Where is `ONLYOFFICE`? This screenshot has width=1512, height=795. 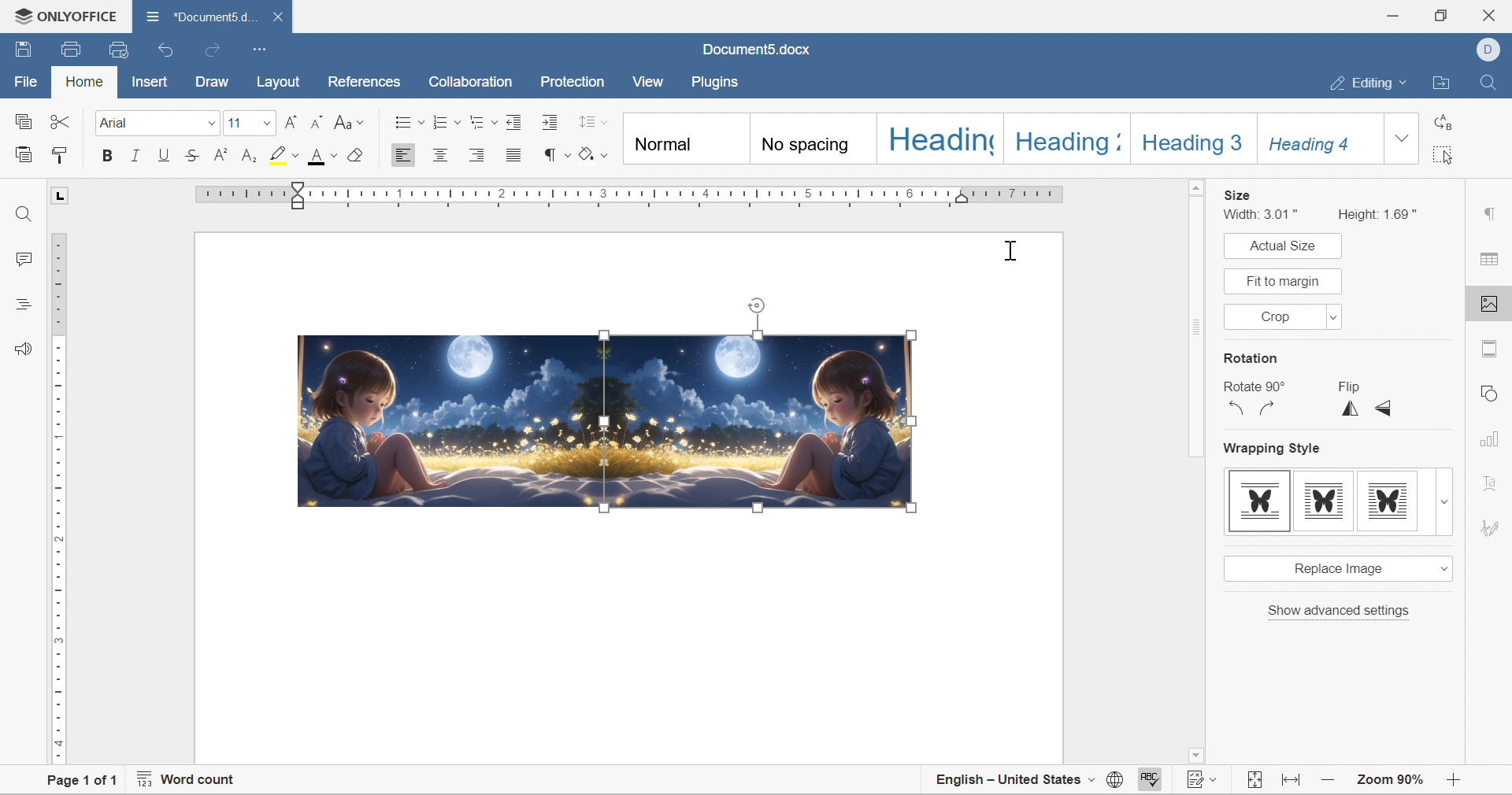
ONLYOFFICE is located at coordinates (66, 16).